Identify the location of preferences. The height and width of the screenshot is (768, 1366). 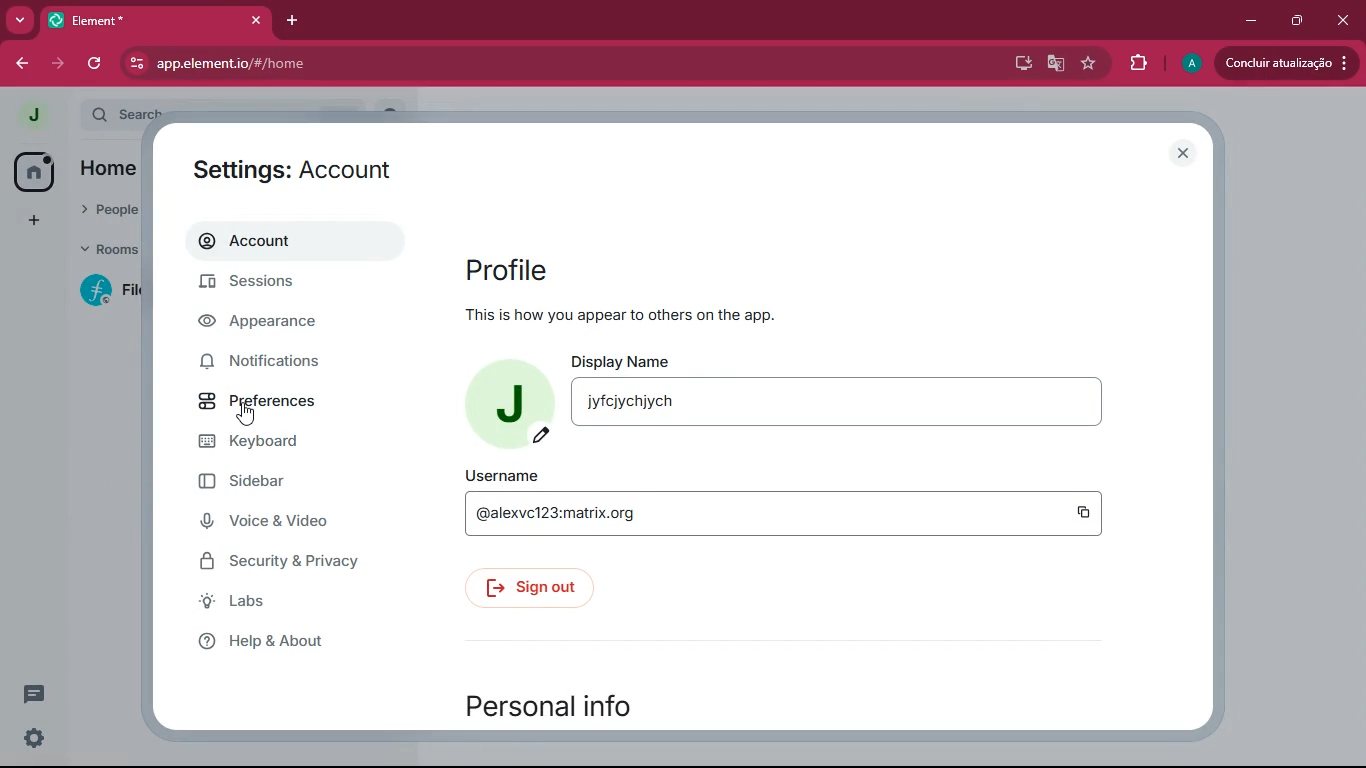
(280, 406).